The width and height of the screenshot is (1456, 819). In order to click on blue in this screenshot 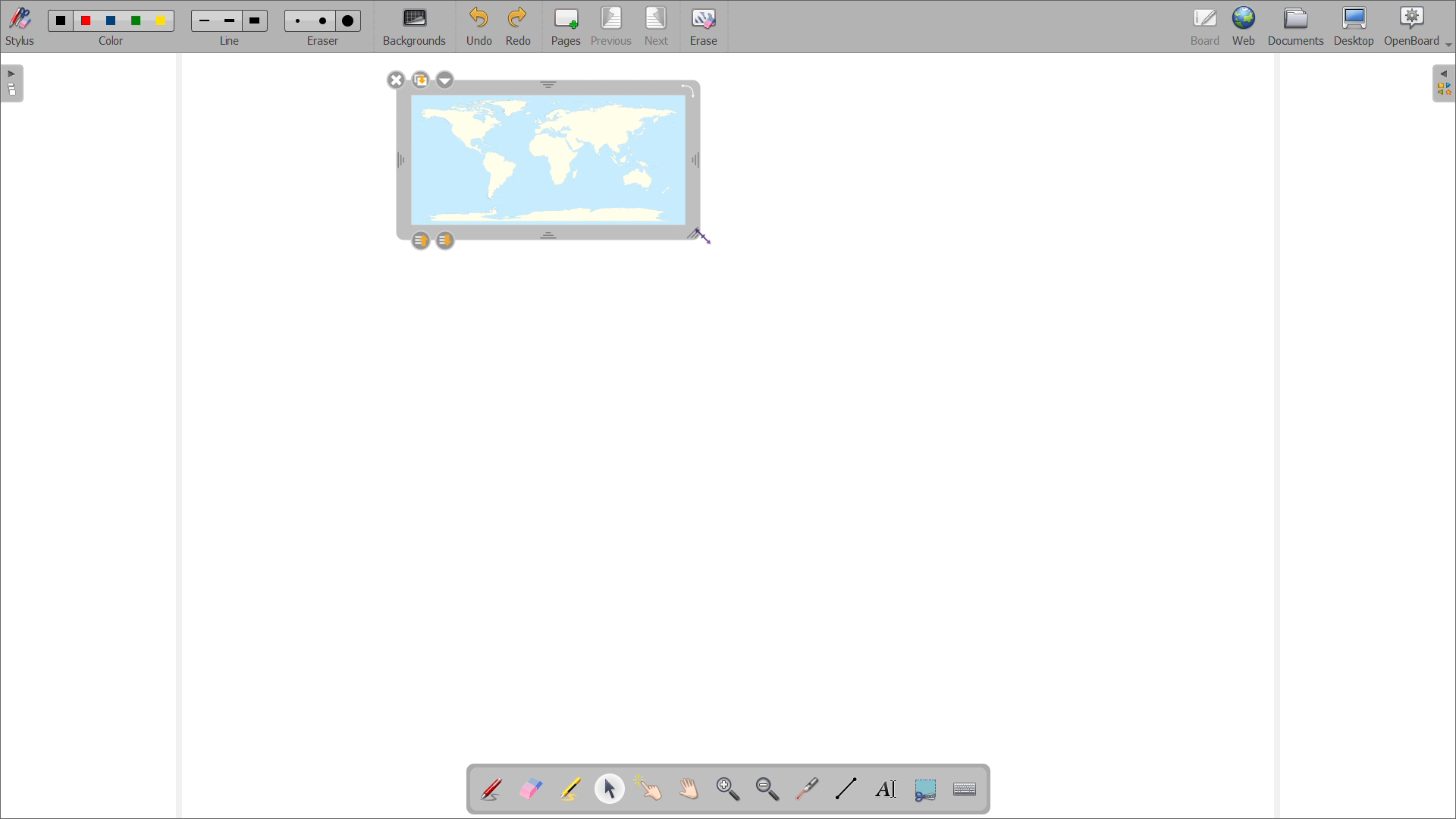, I will do `click(112, 20)`.